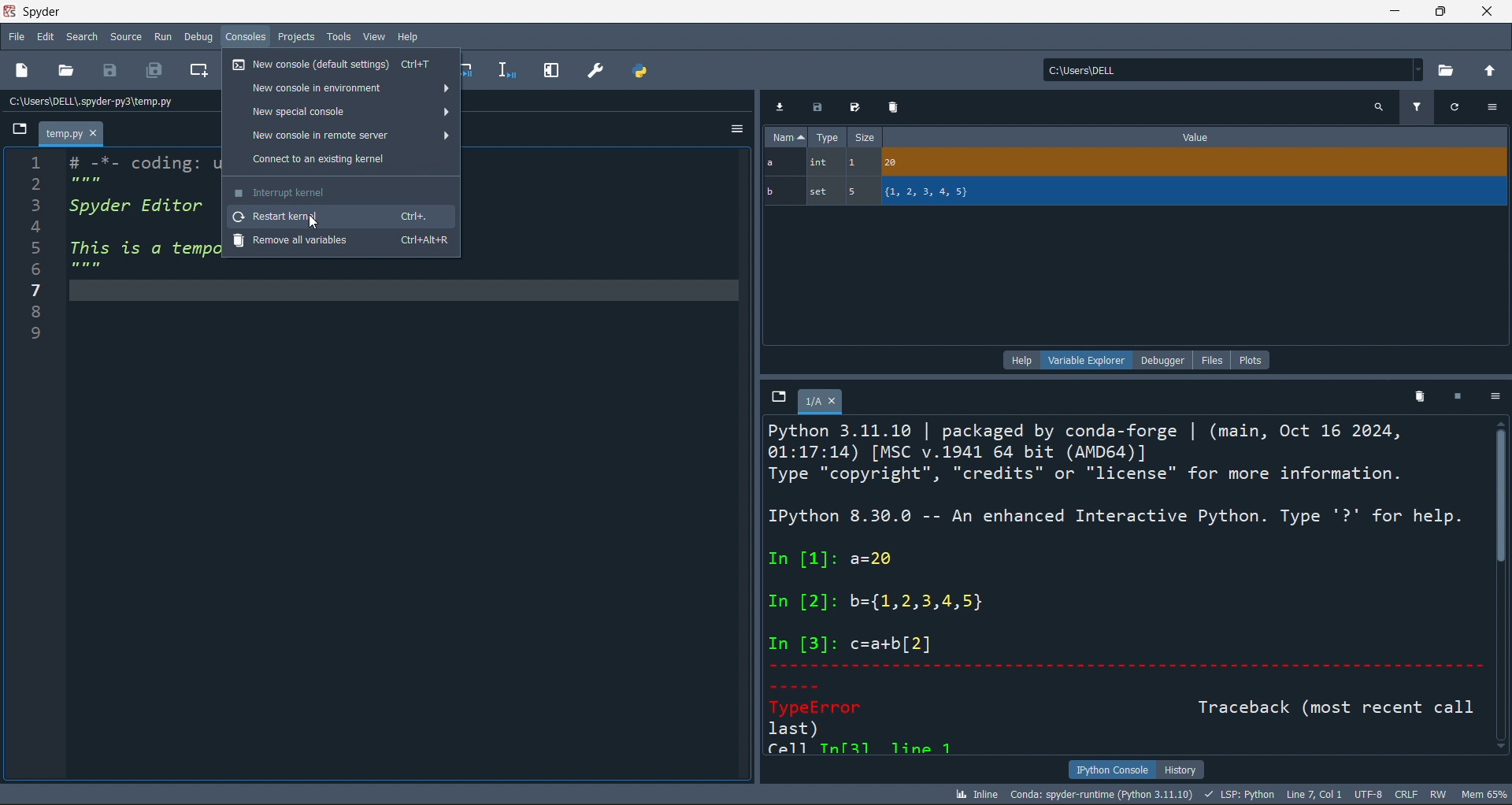  What do you see at coordinates (1496, 398) in the screenshot?
I see `more options` at bounding box center [1496, 398].